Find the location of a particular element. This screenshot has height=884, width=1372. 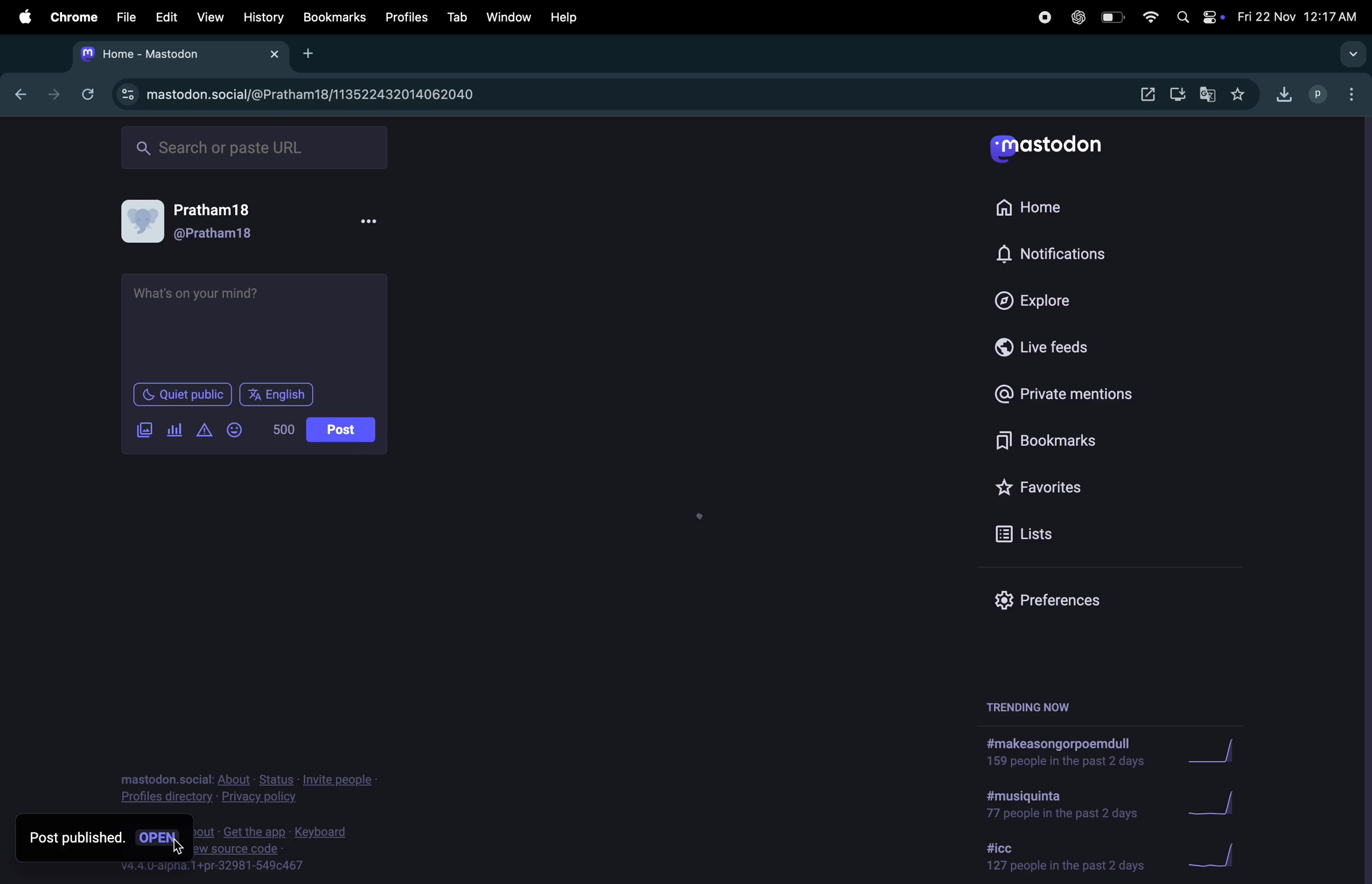

quiet place is located at coordinates (183, 394).